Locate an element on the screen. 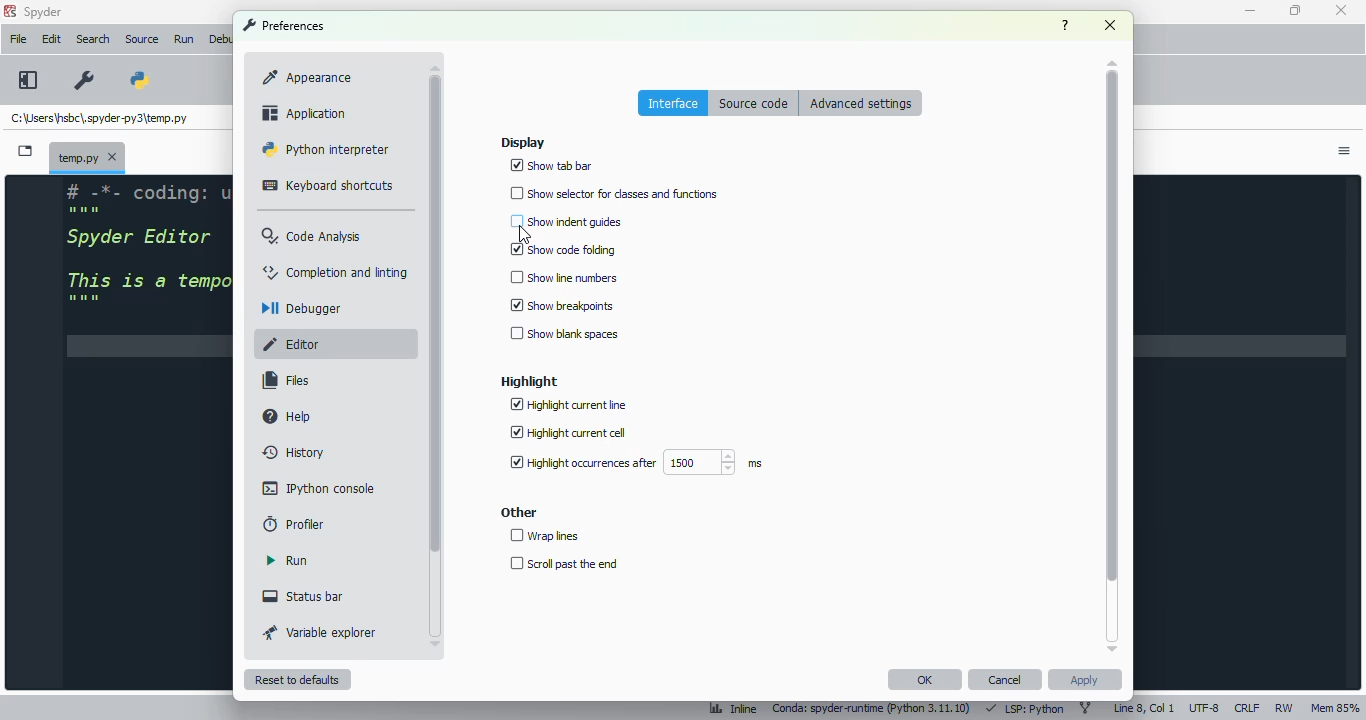 The image size is (1366, 720). IPython console is located at coordinates (320, 488).